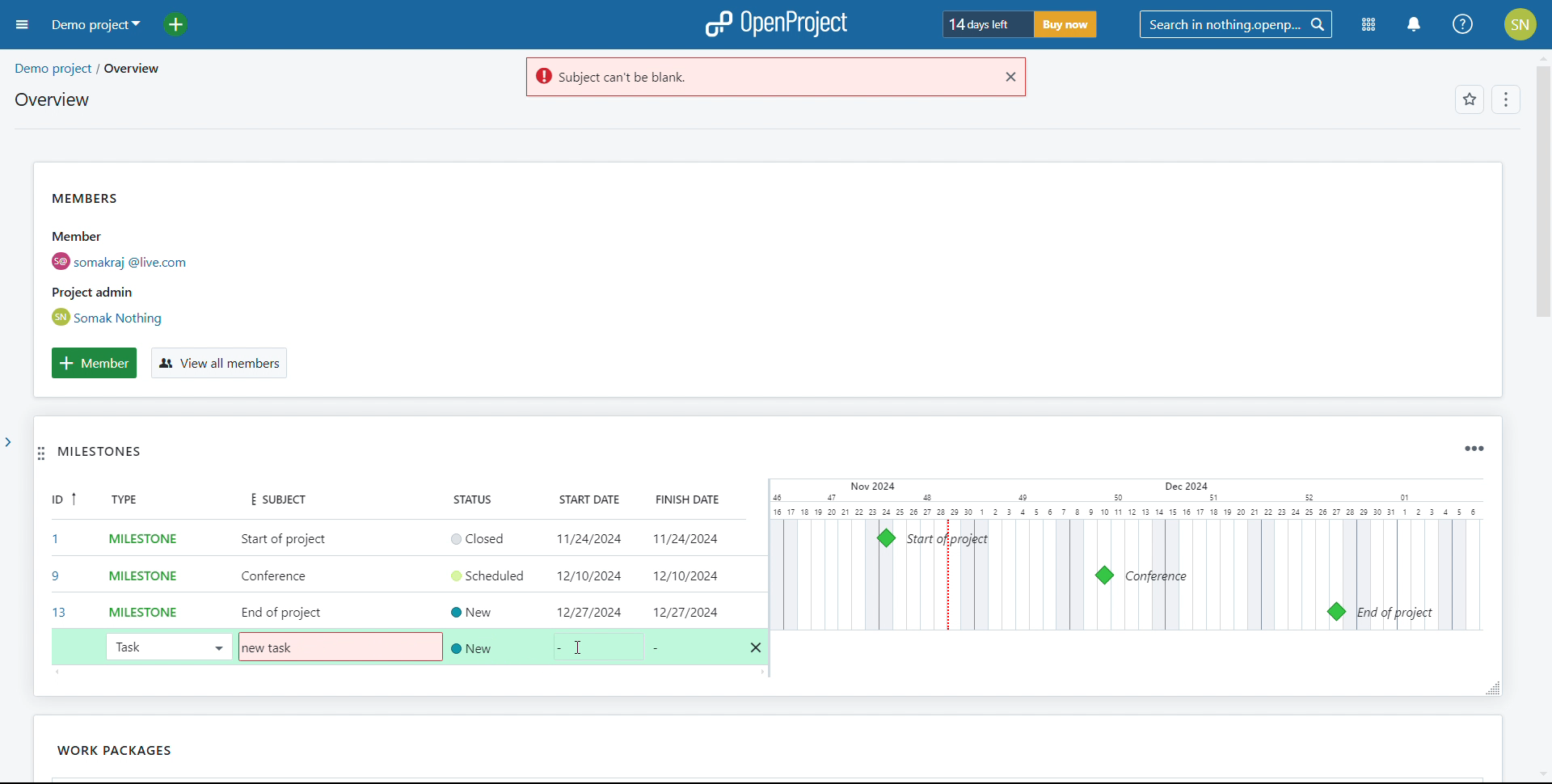  What do you see at coordinates (1064, 24) in the screenshot?
I see `buy now` at bounding box center [1064, 24].